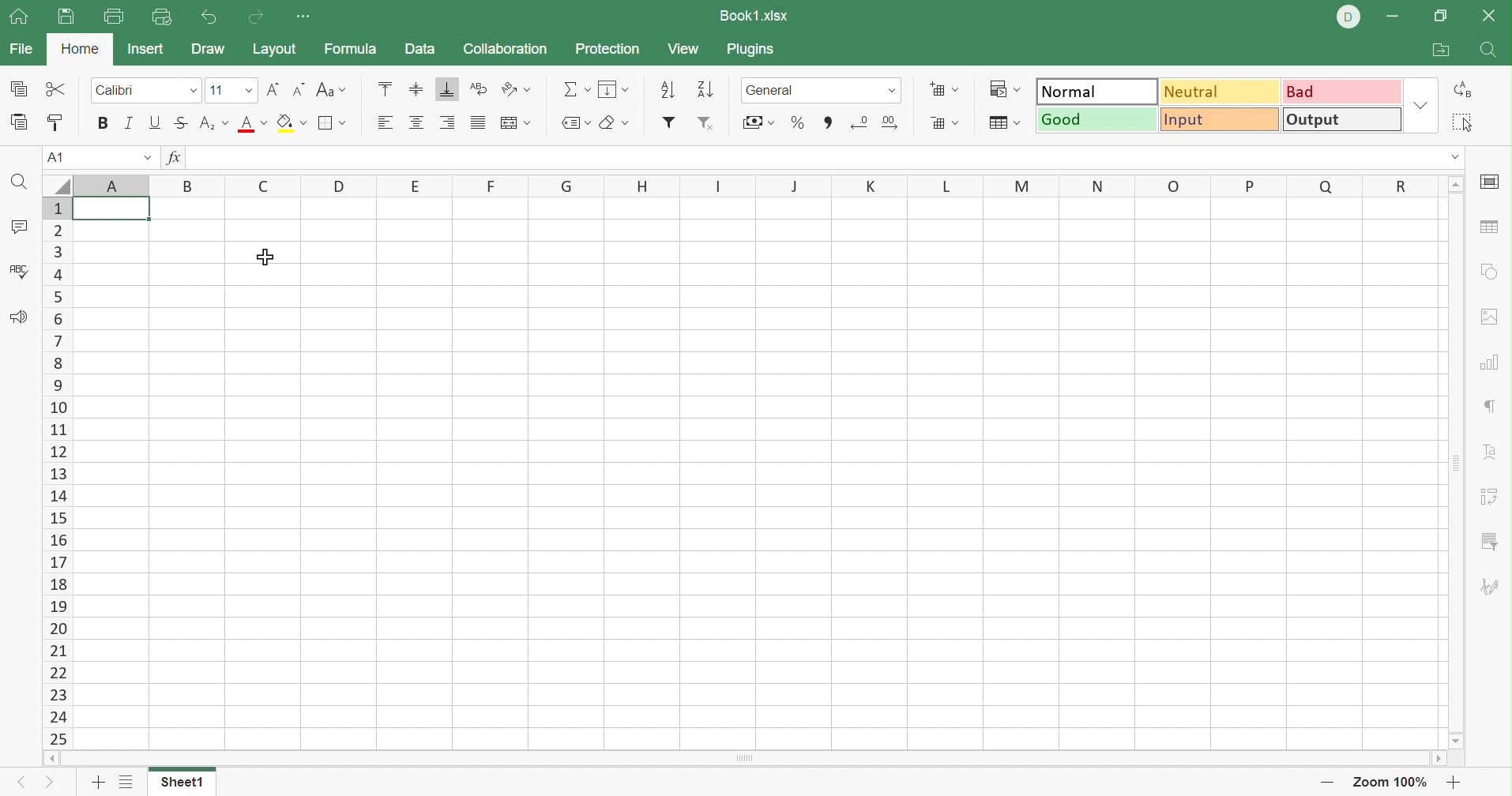  What do you see at coordinates (109, 208) in the screenshot?
I see `selected cells` at bounding box center [109, 208].